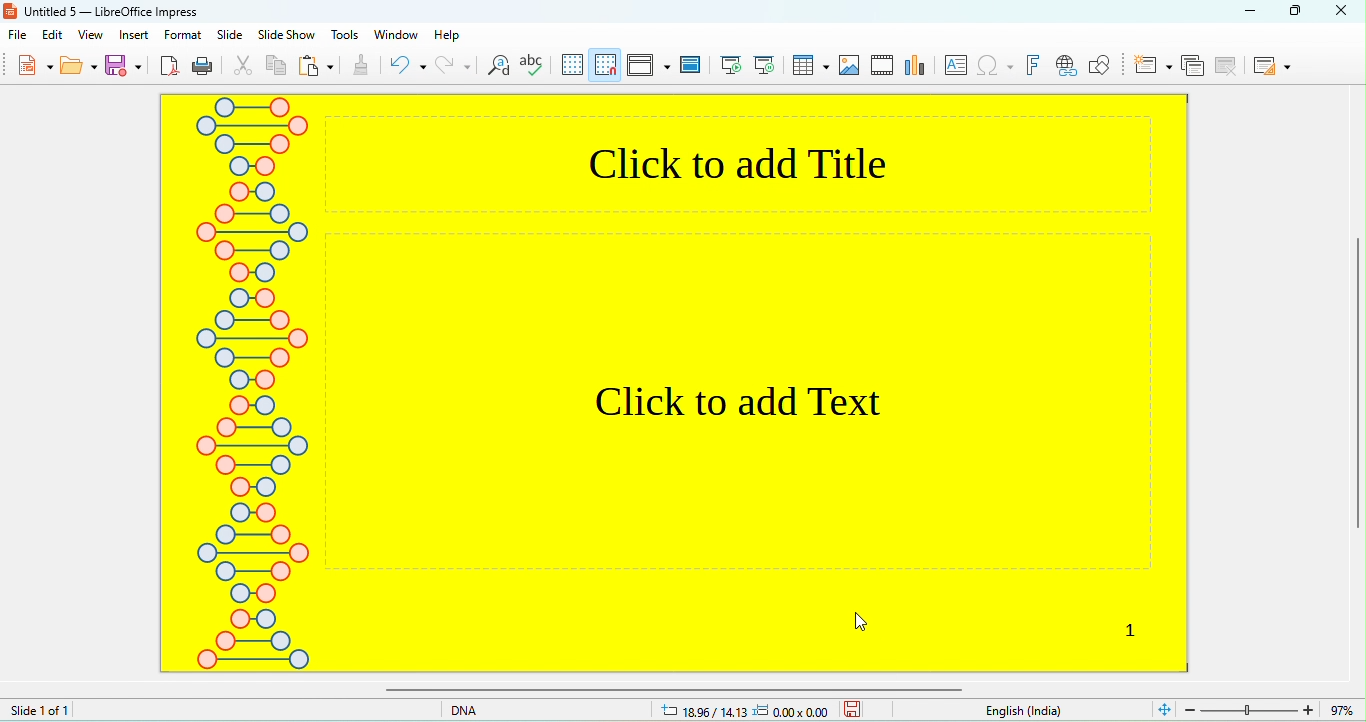 The width and height of the screenshot is (1366, 722). Describe the element at coordinates (1271, 65) in the screenshot. I see `slide layout` at that location.